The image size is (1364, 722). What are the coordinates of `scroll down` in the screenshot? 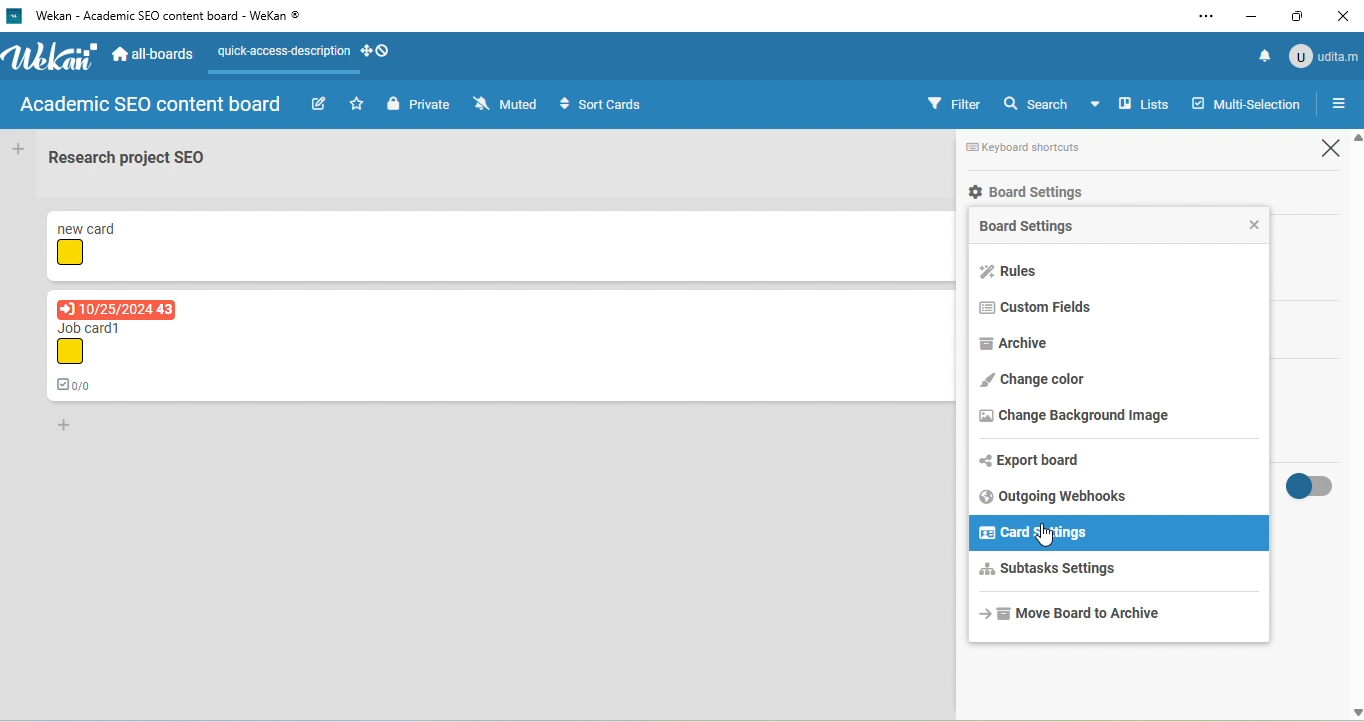 It's located at (1354, 712).